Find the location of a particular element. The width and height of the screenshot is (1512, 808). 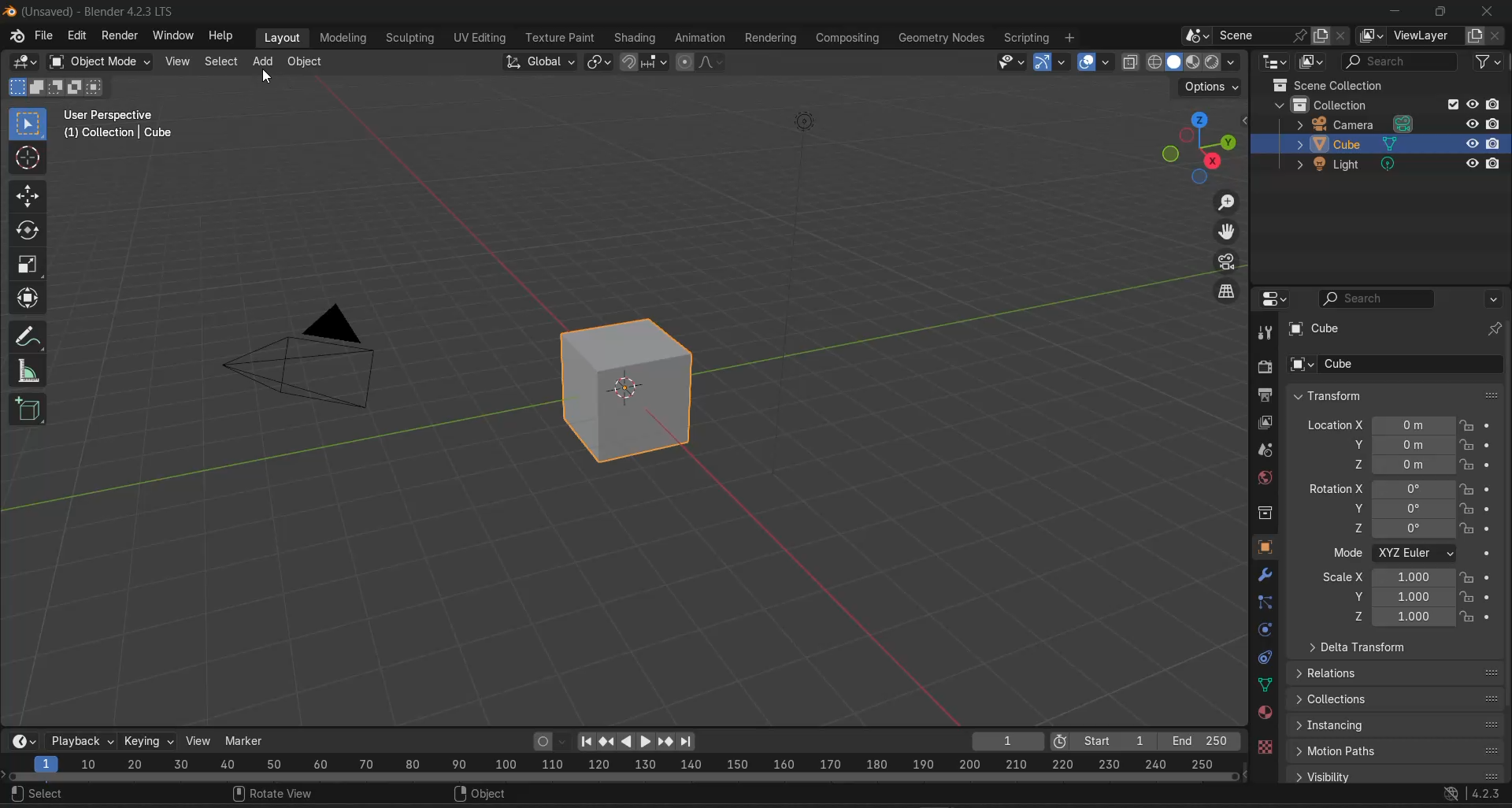

cube is located at coordinates (1317, 329).